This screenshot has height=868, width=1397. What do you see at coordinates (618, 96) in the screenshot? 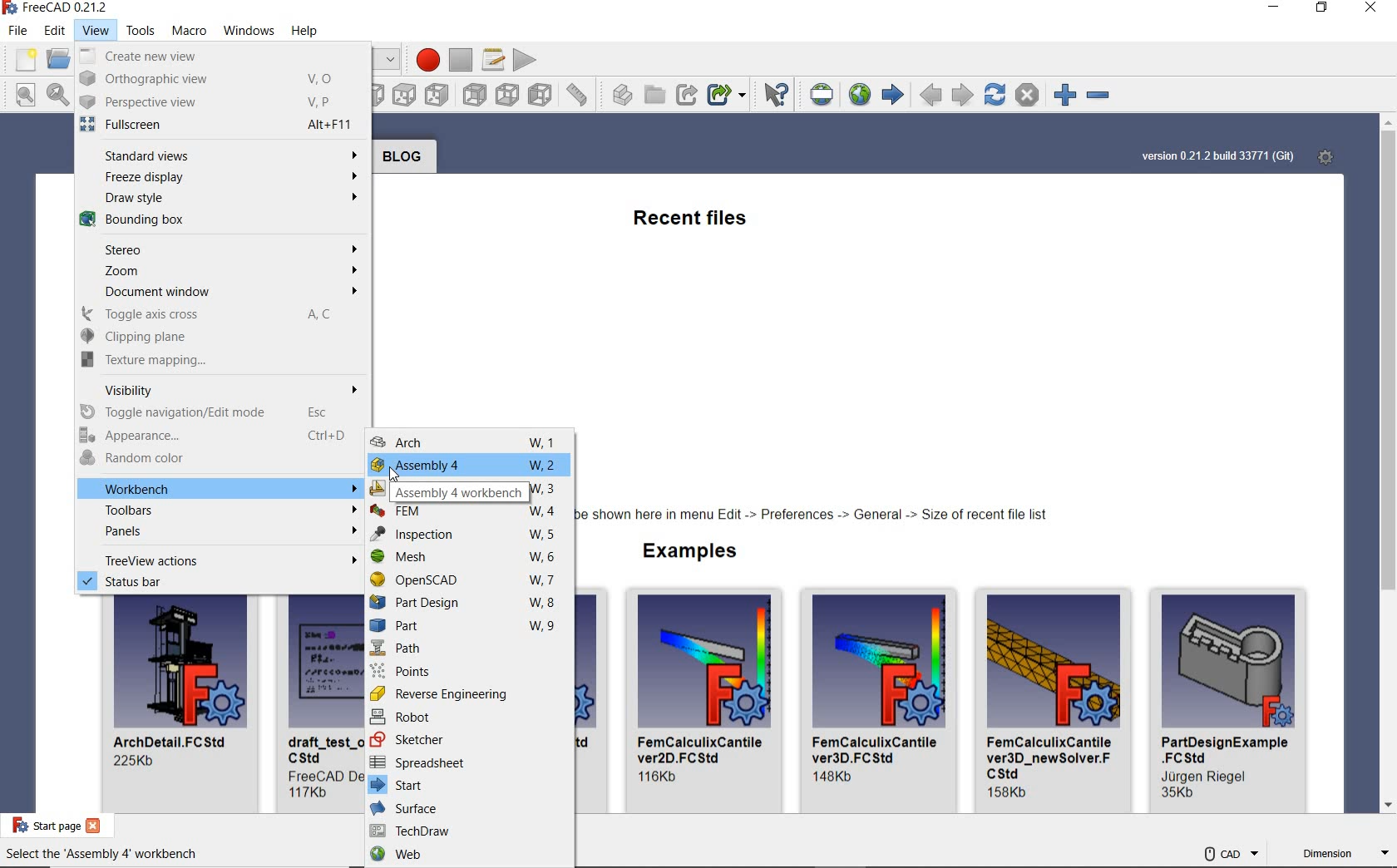
I see `create part` at bounding box center [618, 96].